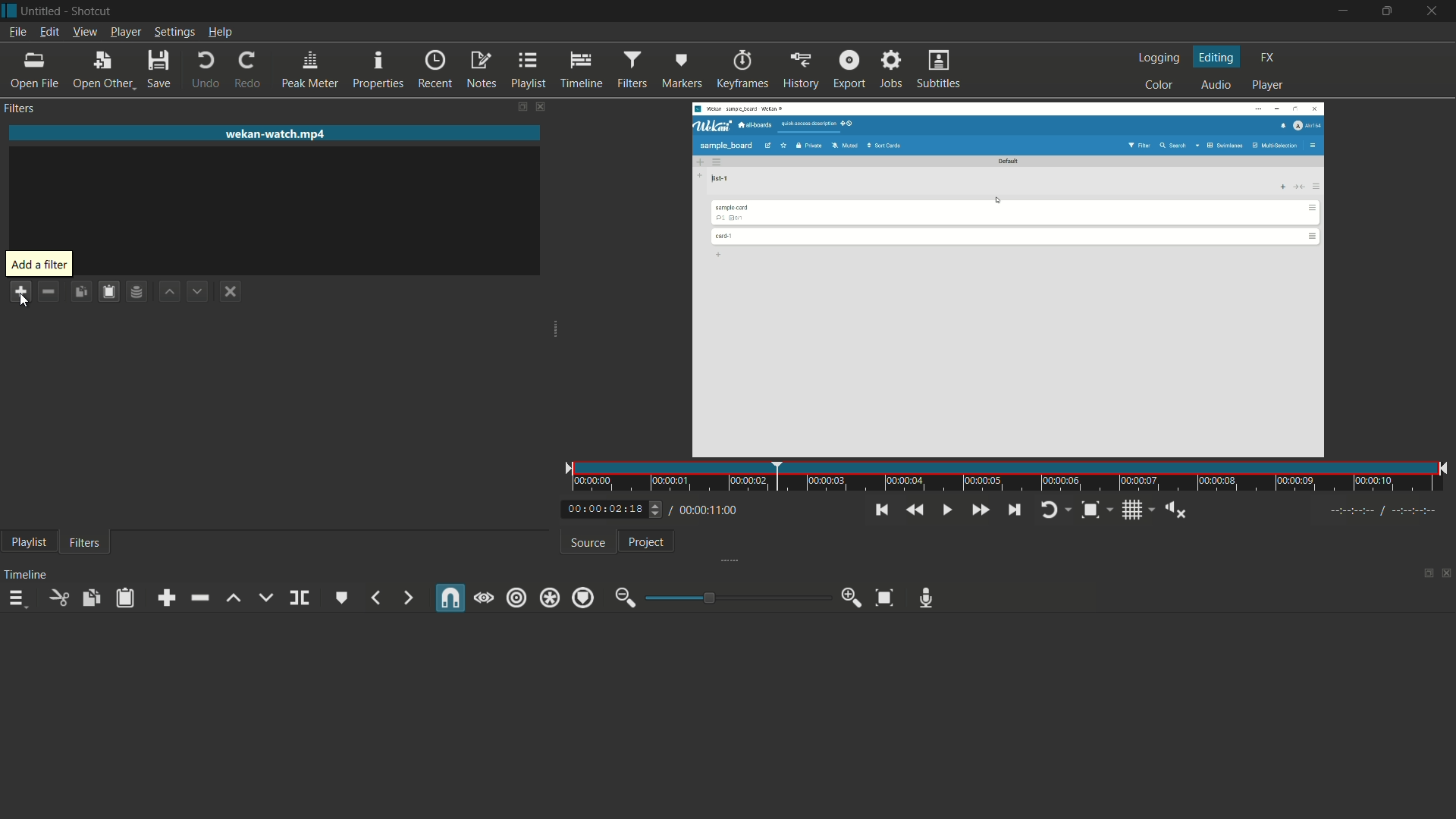 The image size is (1456, 819). I want to click on record audio, so click(925, 598).